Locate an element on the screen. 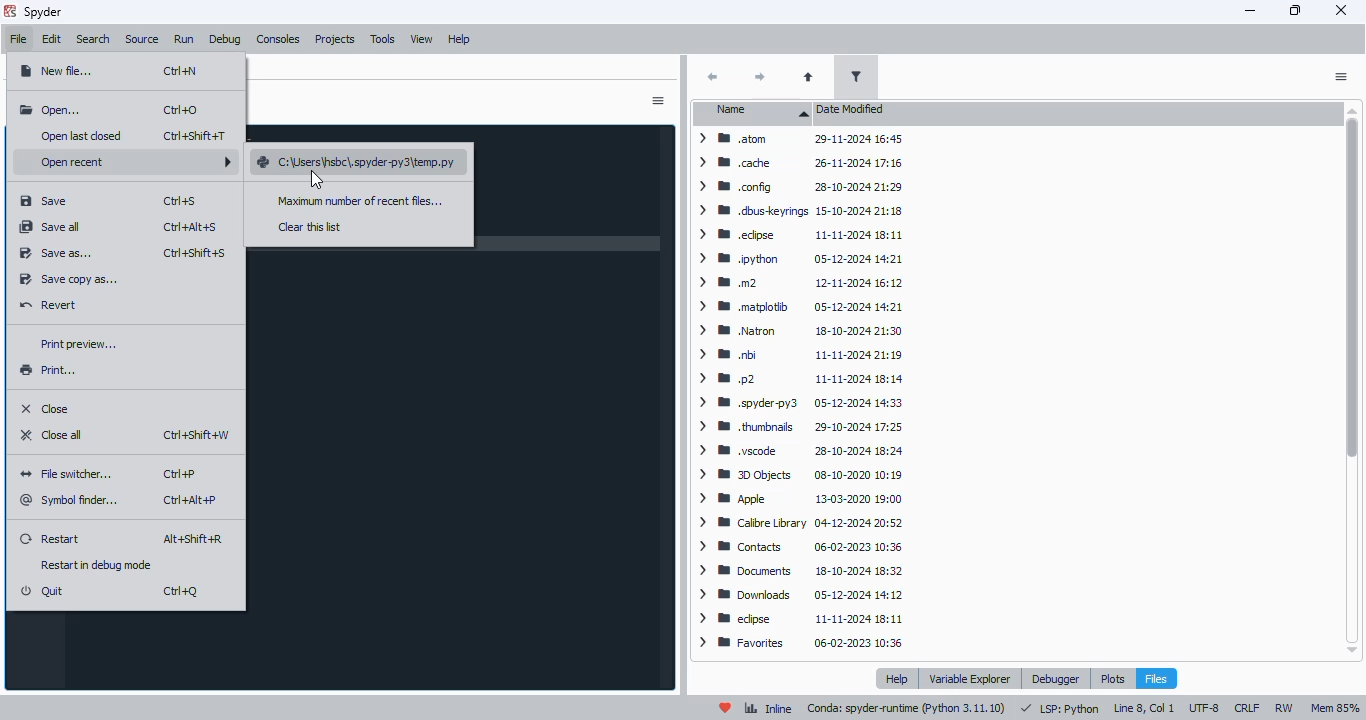 This screenshot has width=1366, height=720. > BW matplotib 05-12-2024 14:21 is located at coordinates (797, 306).